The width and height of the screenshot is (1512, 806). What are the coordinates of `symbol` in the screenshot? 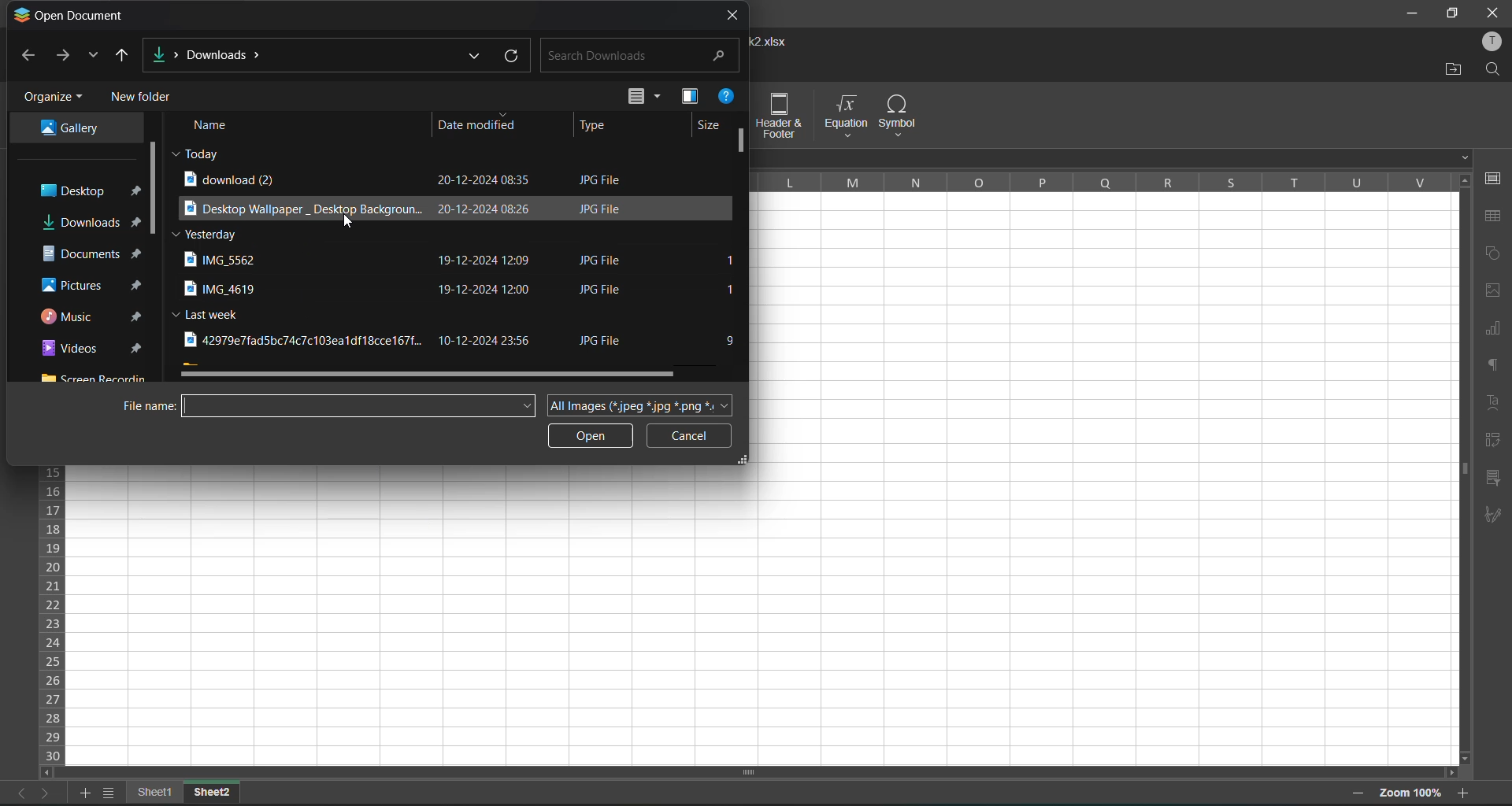 It's located at (897, 116).